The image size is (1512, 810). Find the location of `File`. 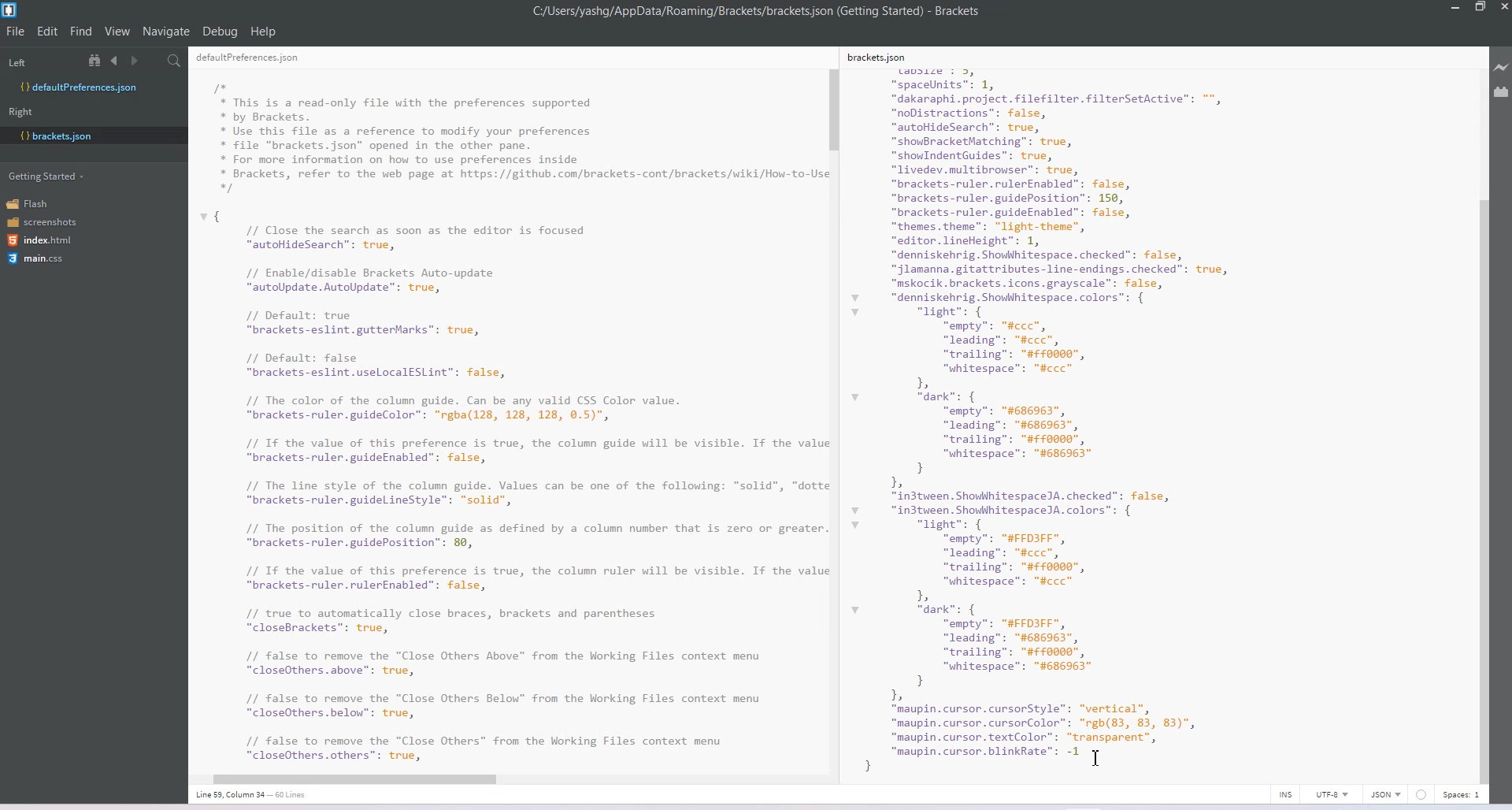

File is located at coordinates (16, 31).